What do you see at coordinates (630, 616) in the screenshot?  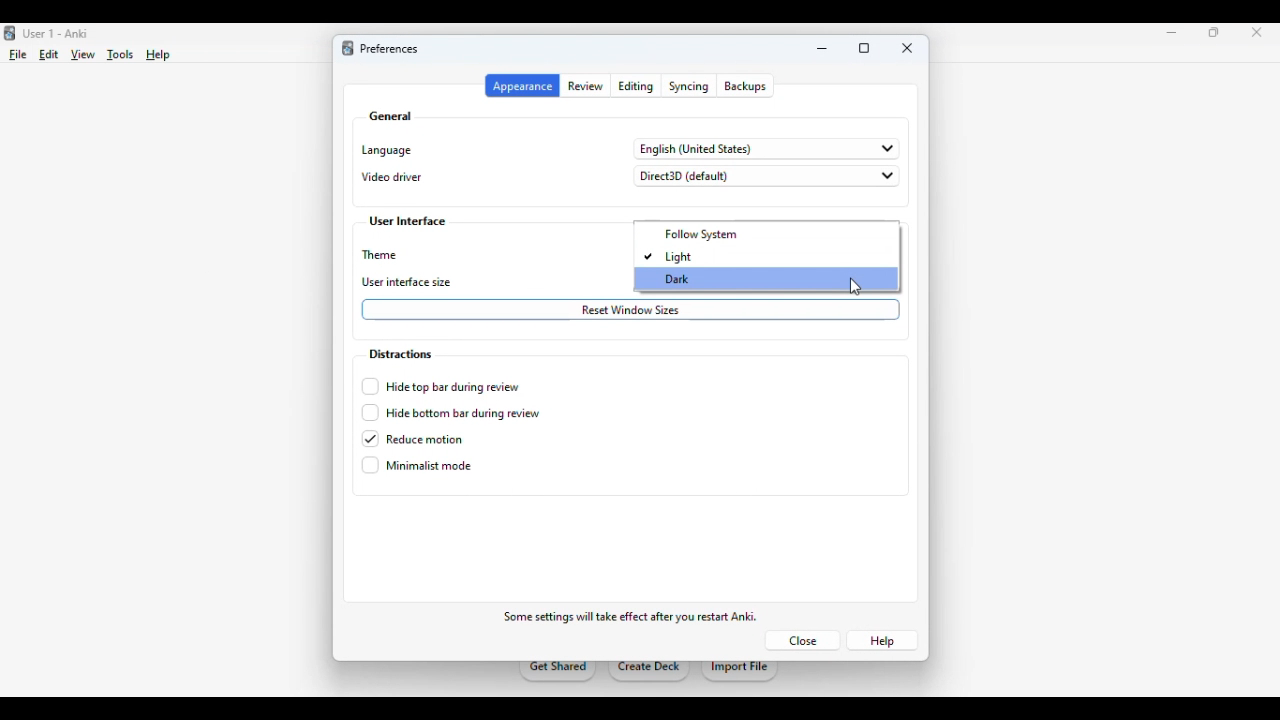 I see `some settings will take effect after you restart anki.` at bounding box center [630, 616].